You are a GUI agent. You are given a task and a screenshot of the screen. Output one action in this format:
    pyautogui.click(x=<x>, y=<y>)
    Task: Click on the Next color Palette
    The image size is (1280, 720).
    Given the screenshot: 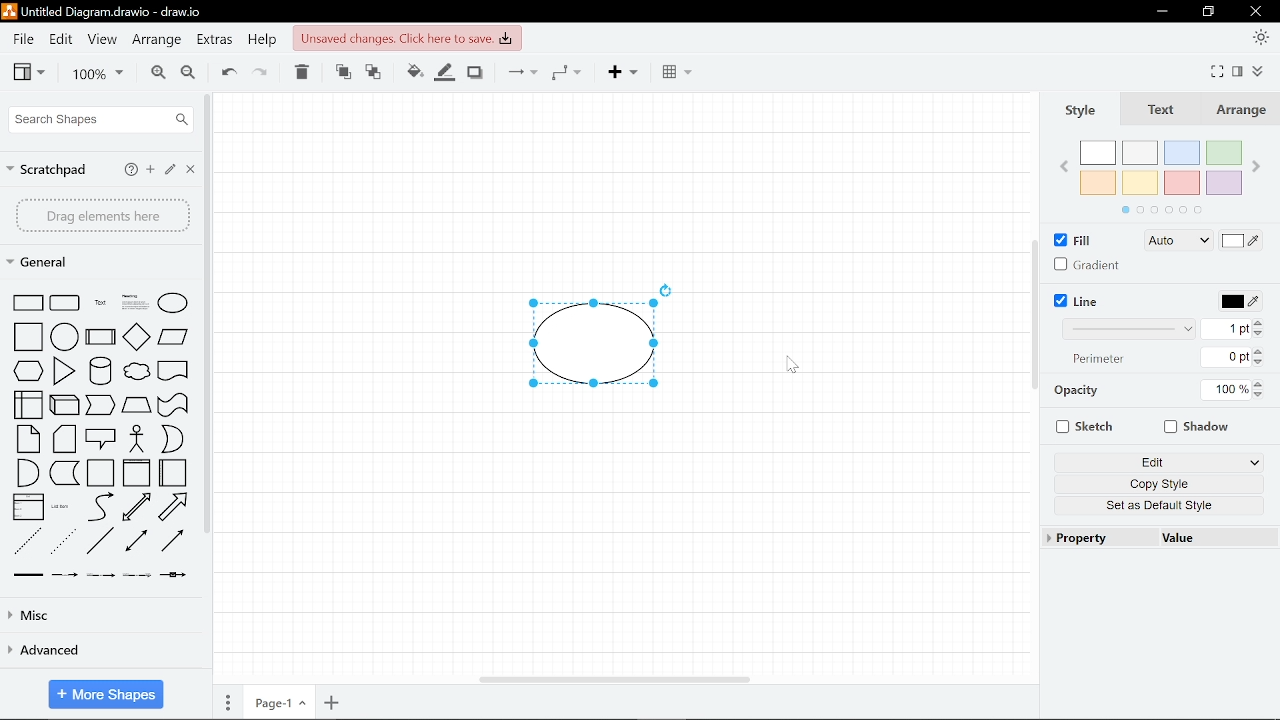 What is the action you would take?
    pyautogui.click(x=1262, y=158)
    